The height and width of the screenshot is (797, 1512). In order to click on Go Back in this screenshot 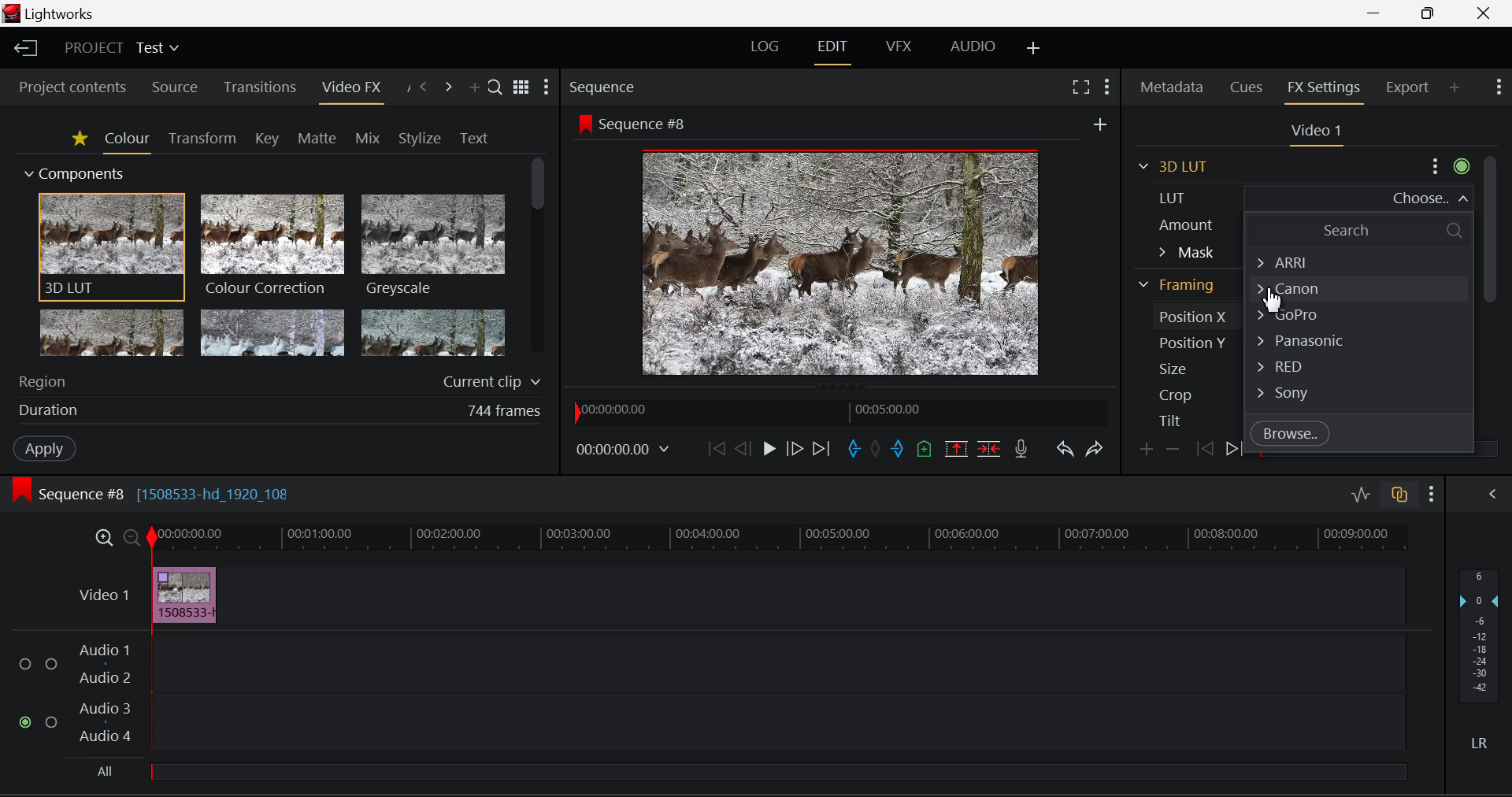, I will do `click(743, 451)`.